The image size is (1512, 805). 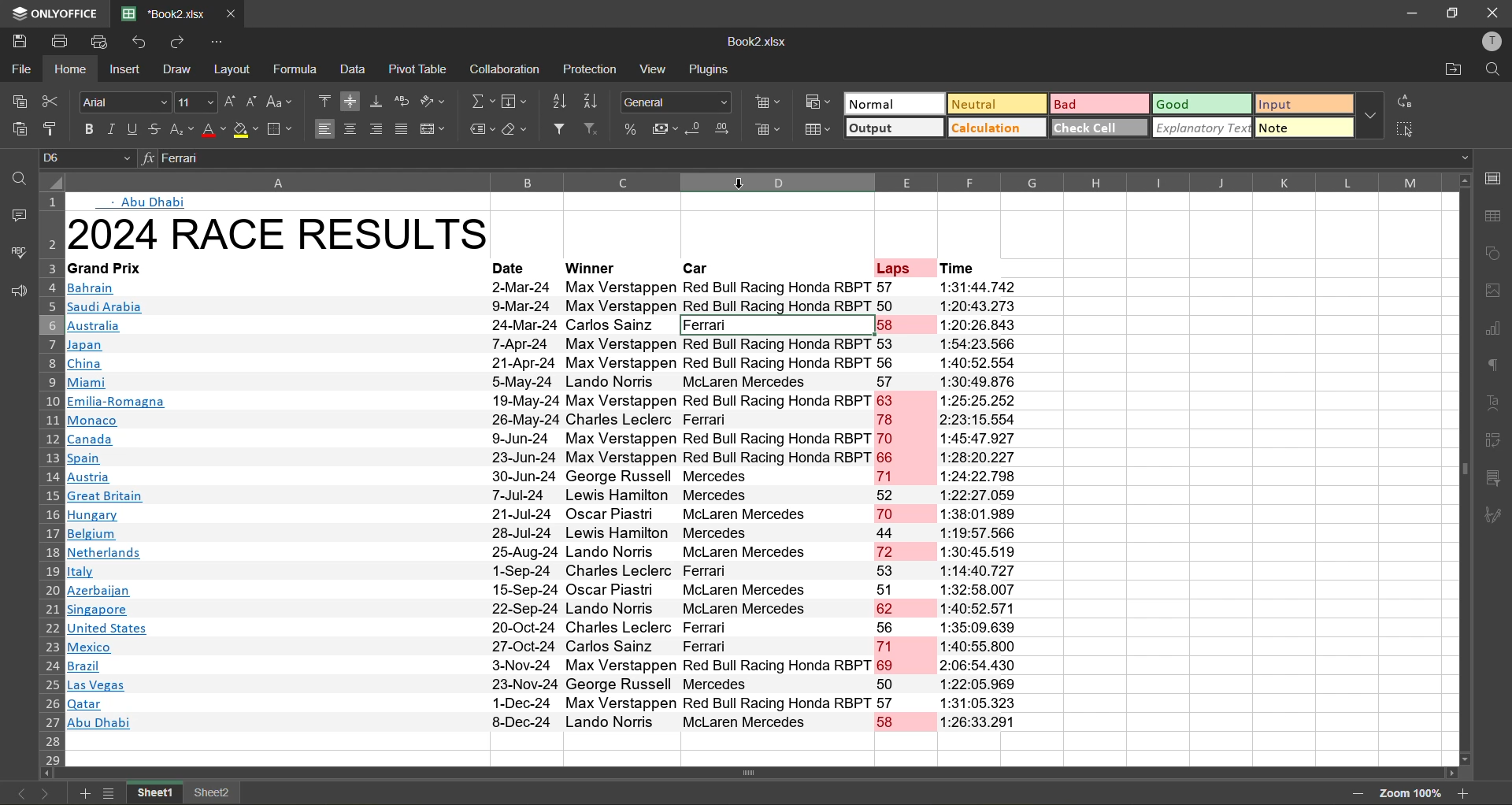 I want to click on clear, so click(x=517, y=130).